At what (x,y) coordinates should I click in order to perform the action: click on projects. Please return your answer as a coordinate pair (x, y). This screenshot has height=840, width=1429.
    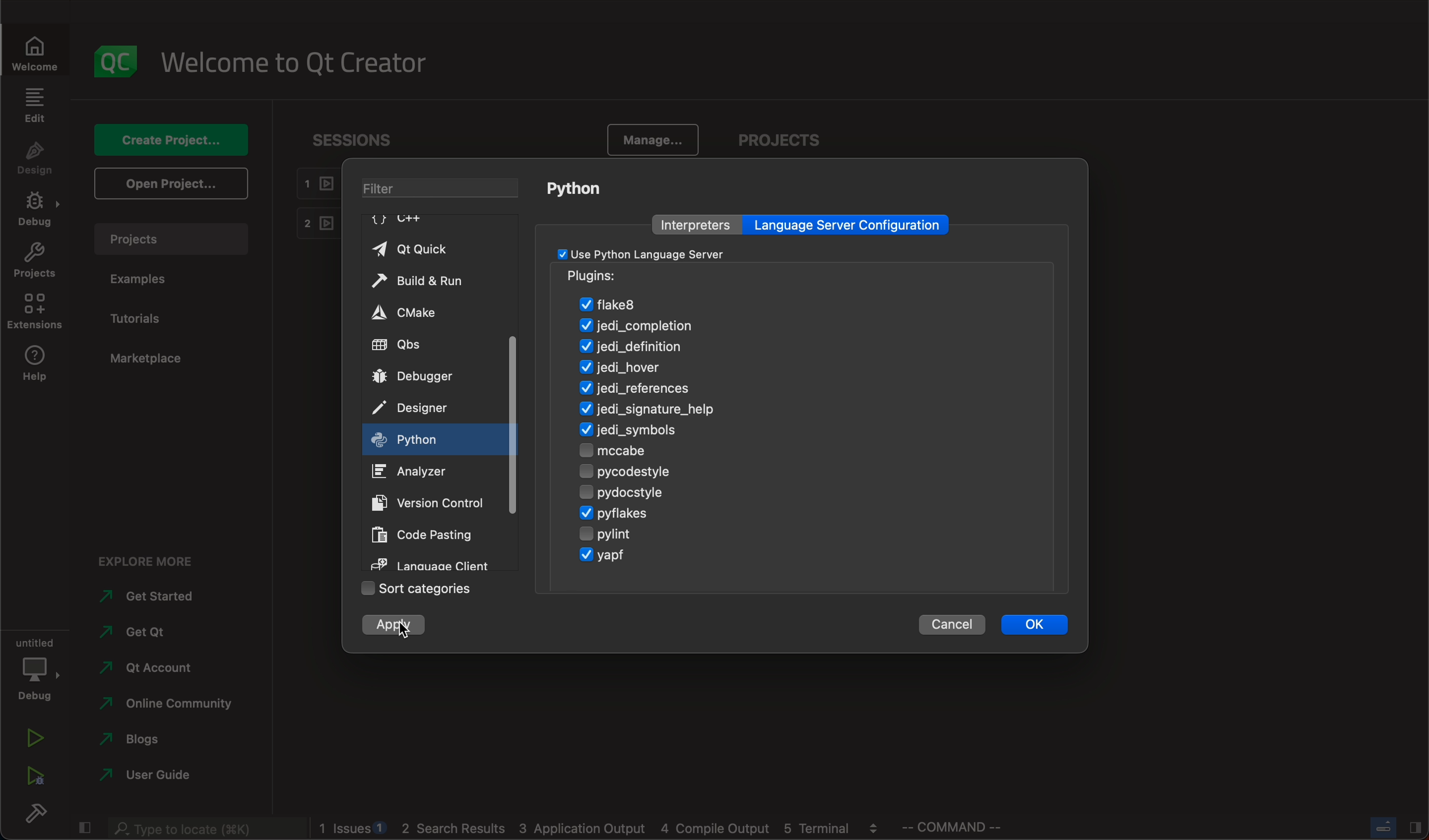
    Looking at the image, I should click on (780, 138).